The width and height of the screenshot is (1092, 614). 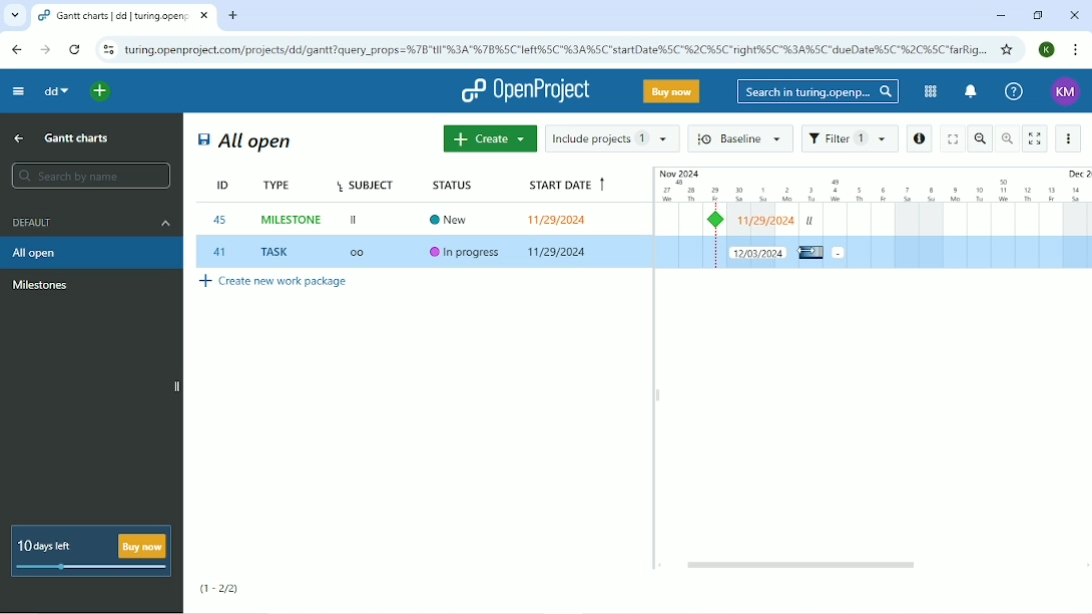 I want to click on dd, so click(x=54, y=90).